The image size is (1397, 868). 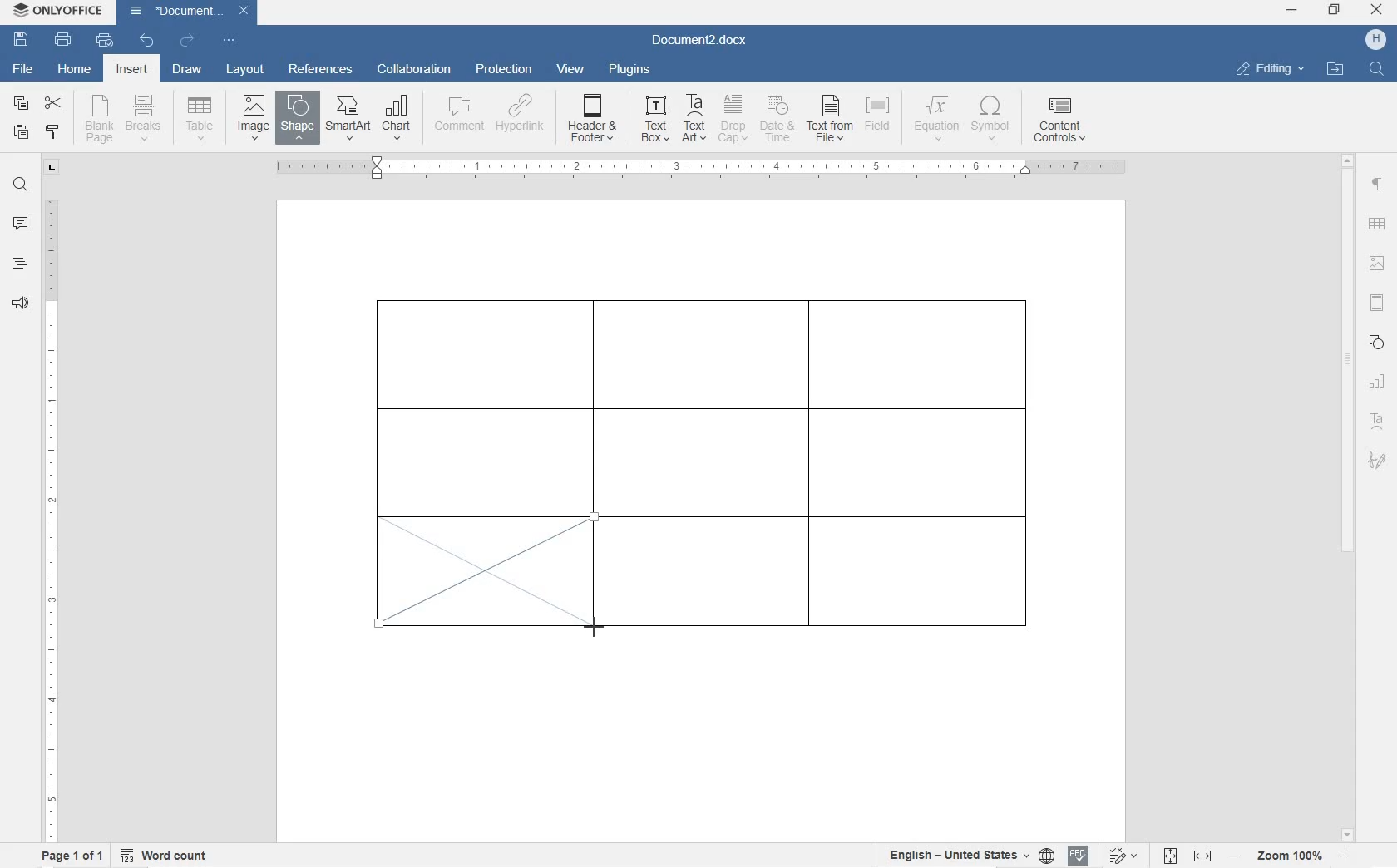 What do you see at coordinates (881, 121) in the screenshot?
I see `FIELD` at bounding box center [881, 121].